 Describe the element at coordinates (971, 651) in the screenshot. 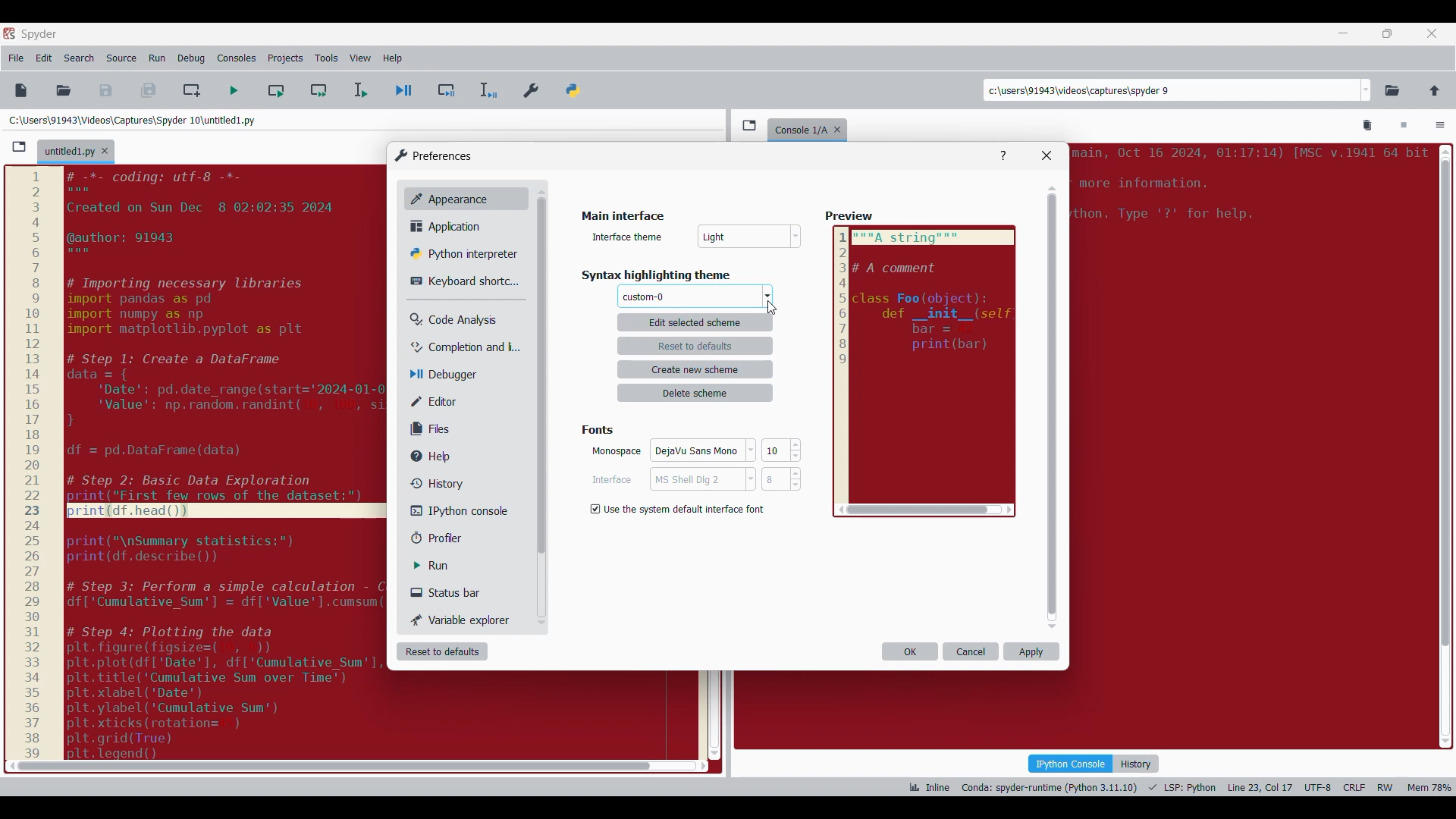

I see `Cancel` at that location.